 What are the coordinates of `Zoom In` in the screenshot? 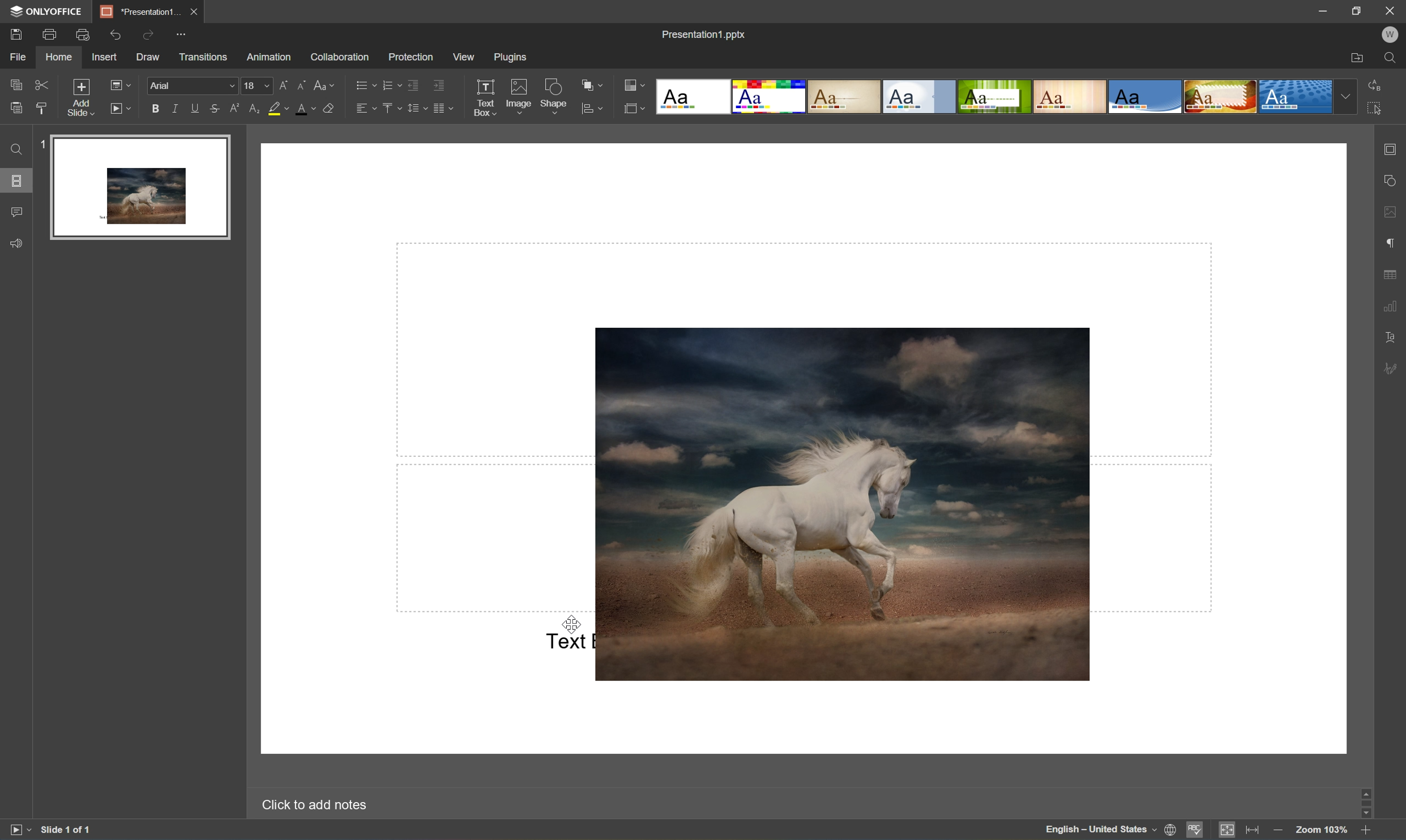 It's located at (1366, 832).